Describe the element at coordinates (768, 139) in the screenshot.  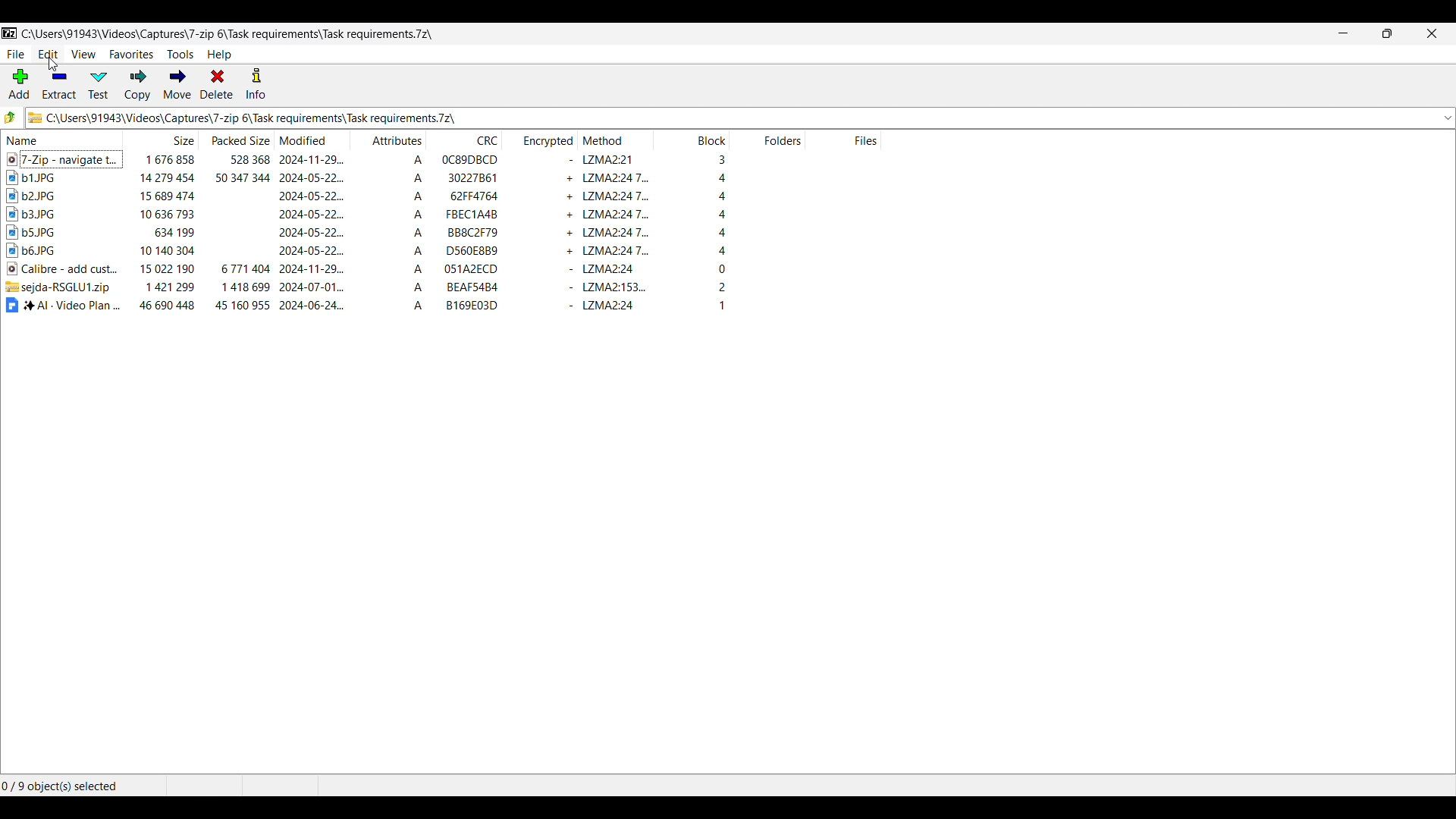
I see `Folder column` at that location.